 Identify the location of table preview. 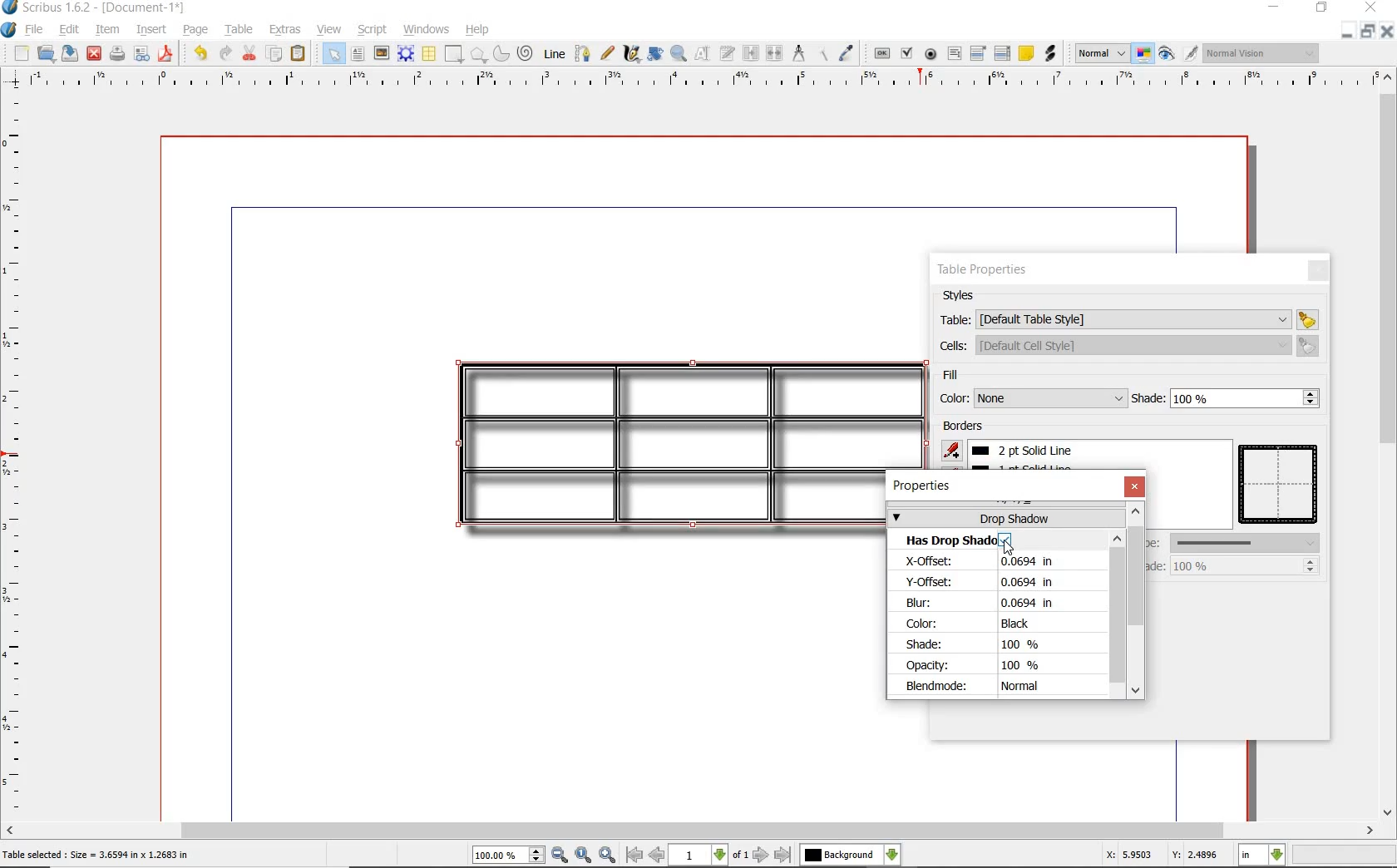
(1281, 486).